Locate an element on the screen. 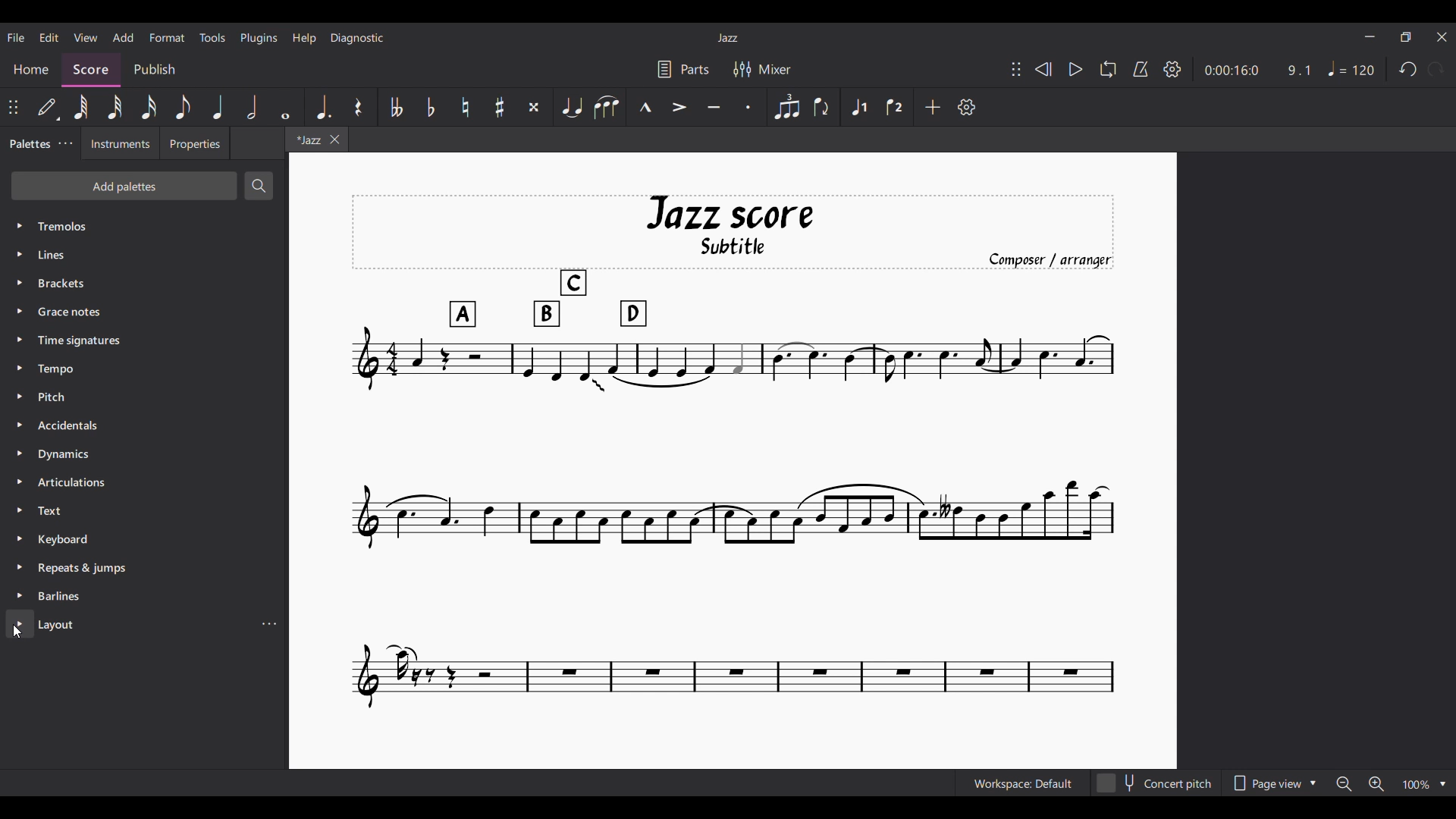 The height and width of the screenshot is (819, 1456). Play is located at coordinates (1076, 69).